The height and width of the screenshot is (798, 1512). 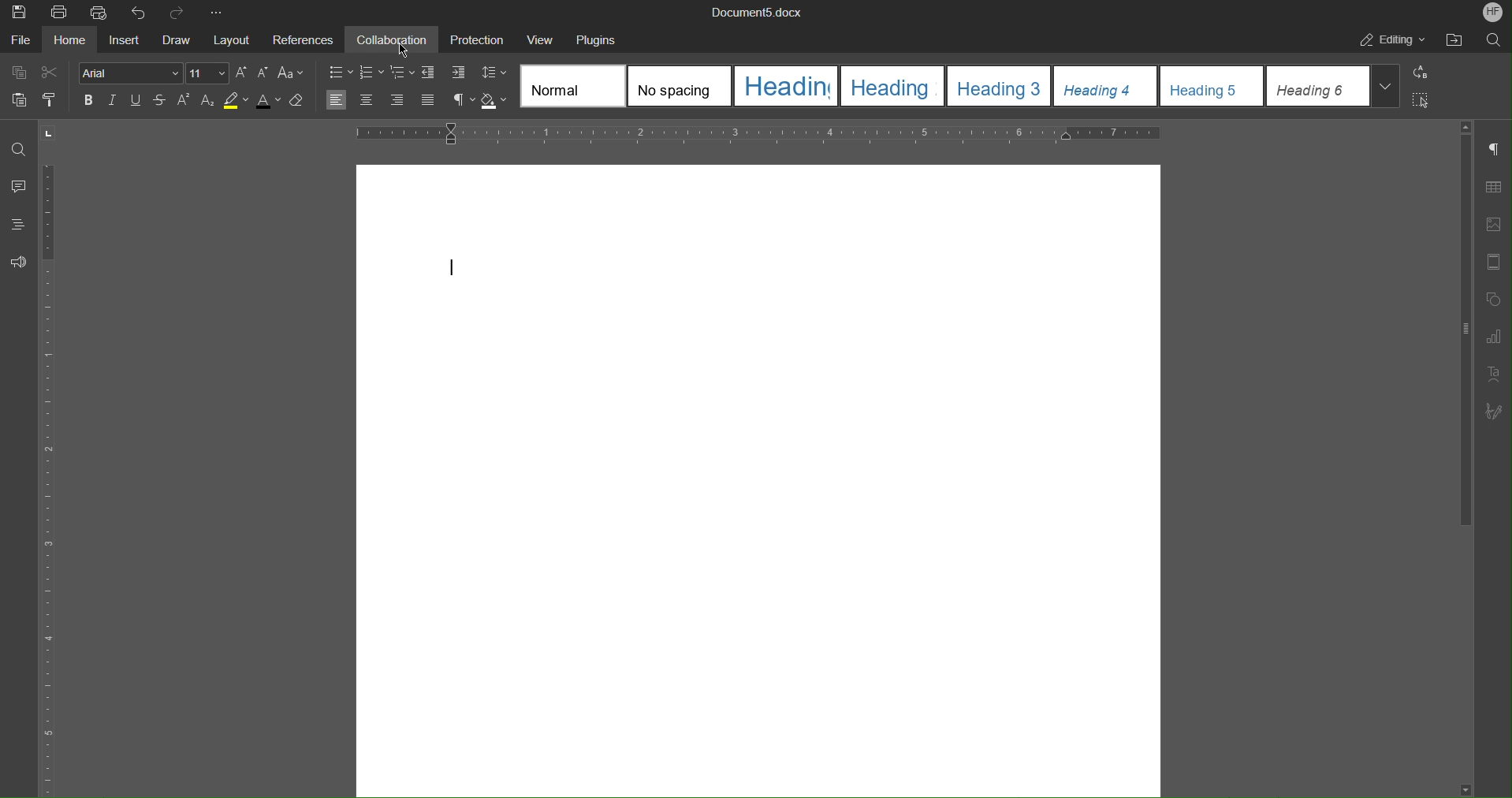 What do you see at coordinates (545, 43) in the screenshot?
I see `View` at bounding box center [545, 43].